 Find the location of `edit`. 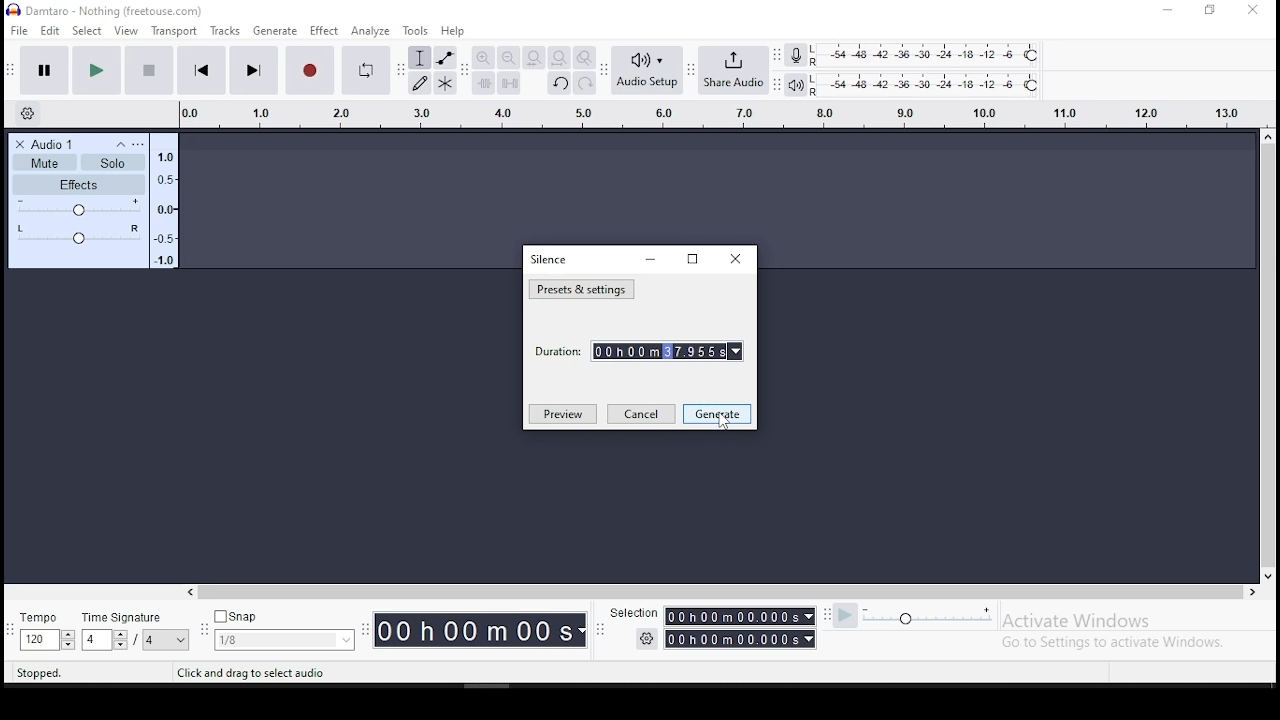

edit is located at coordinates (51, 30).